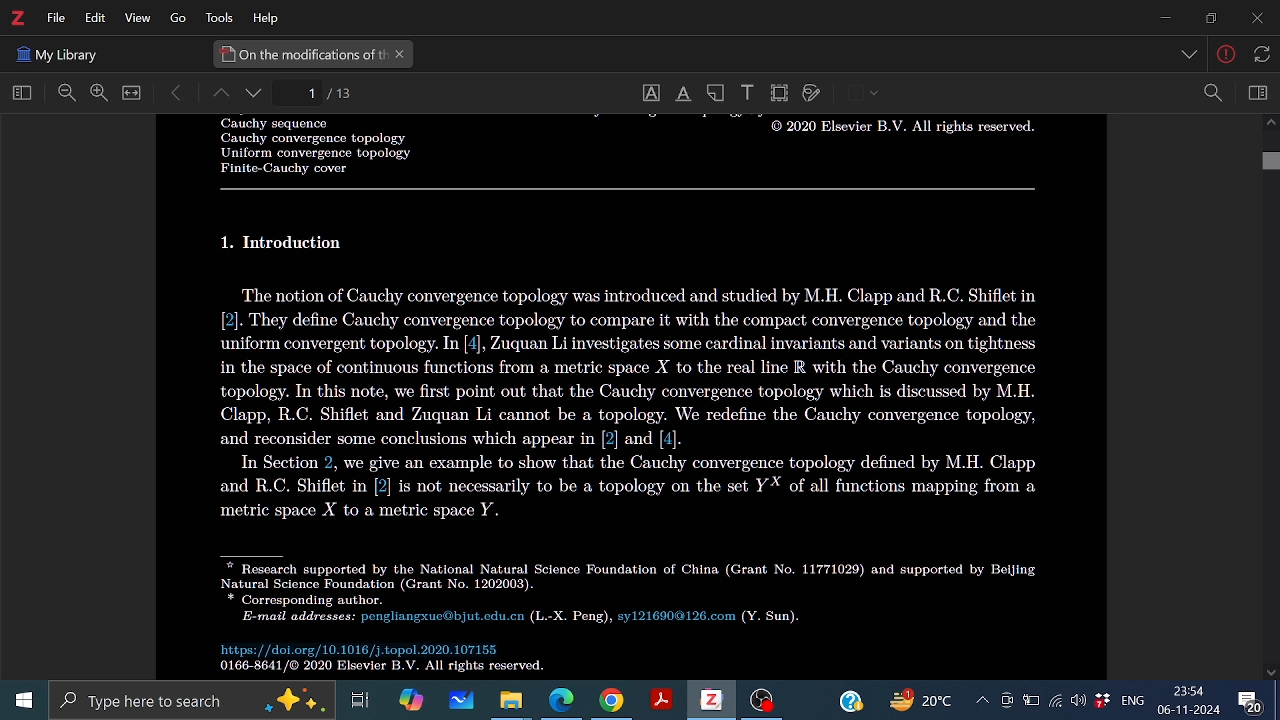 The image size is (1280, 720). Describe the element at coordinates (780, 93) in the screenshot. I see `Crop` at that location.